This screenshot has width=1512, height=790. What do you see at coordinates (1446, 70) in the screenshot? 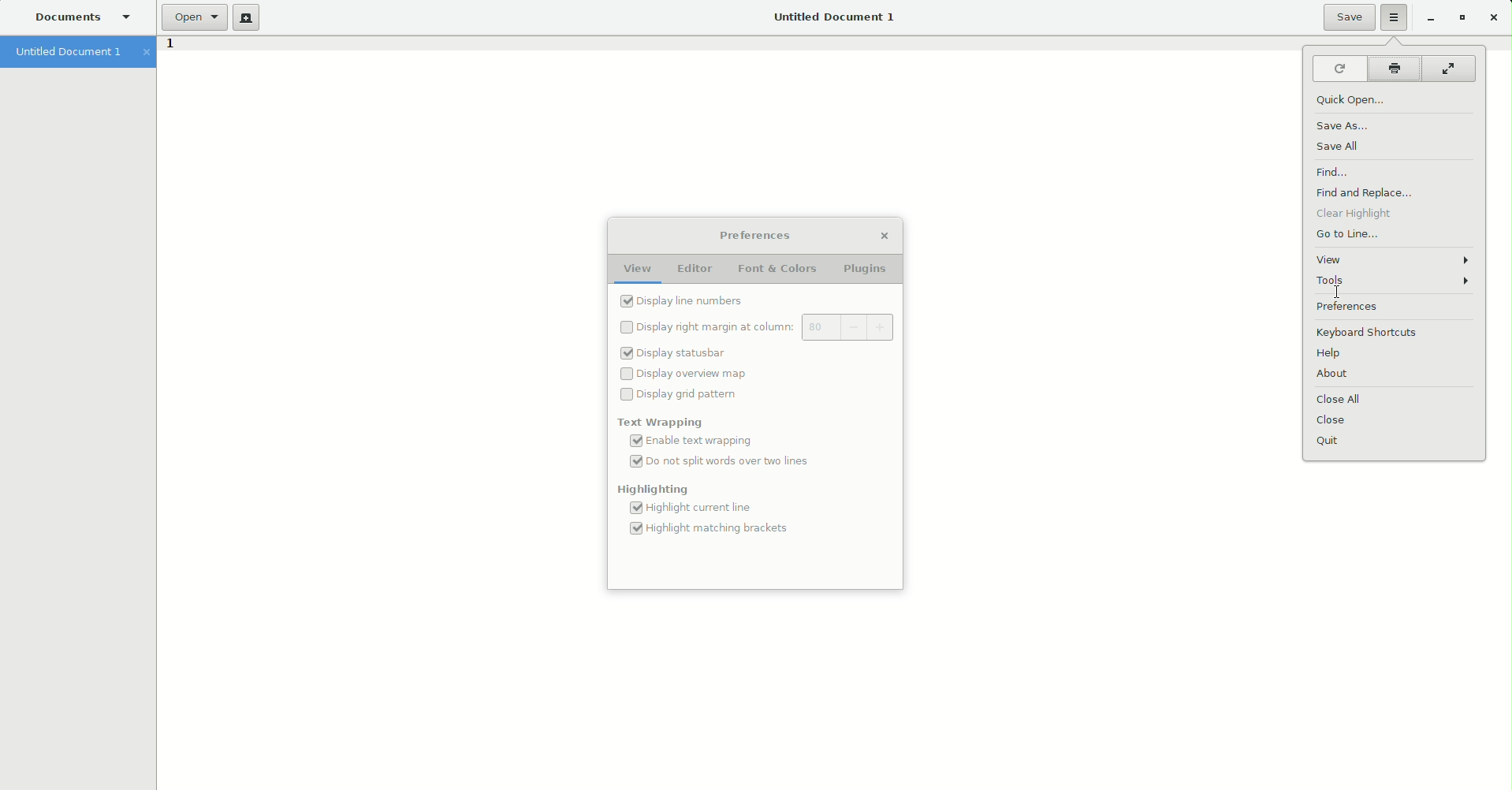
I see `Fullscreen` at bounding box center [1446, 70].